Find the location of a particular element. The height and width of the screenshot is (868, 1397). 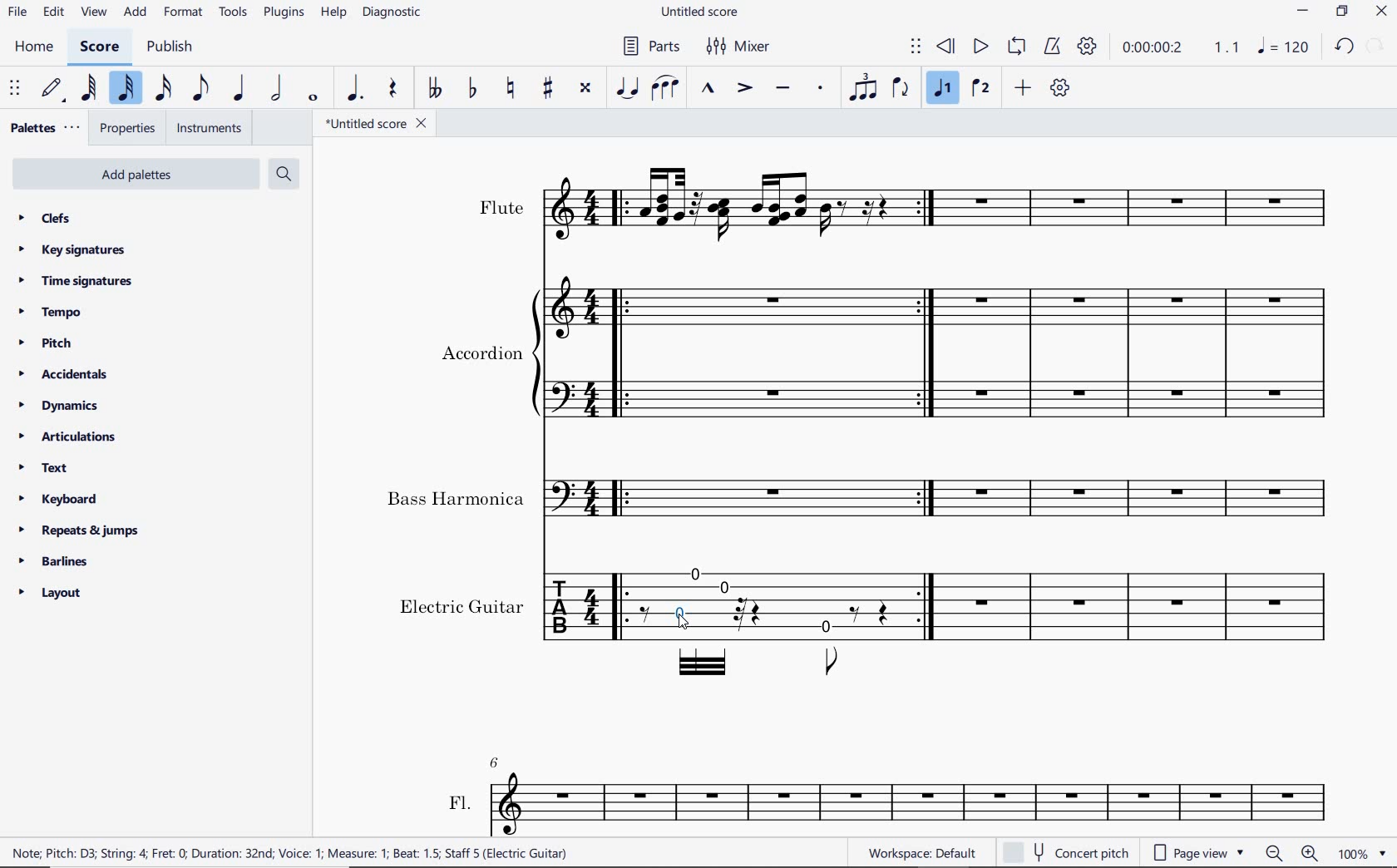

text is located at coordinates (43, 468).